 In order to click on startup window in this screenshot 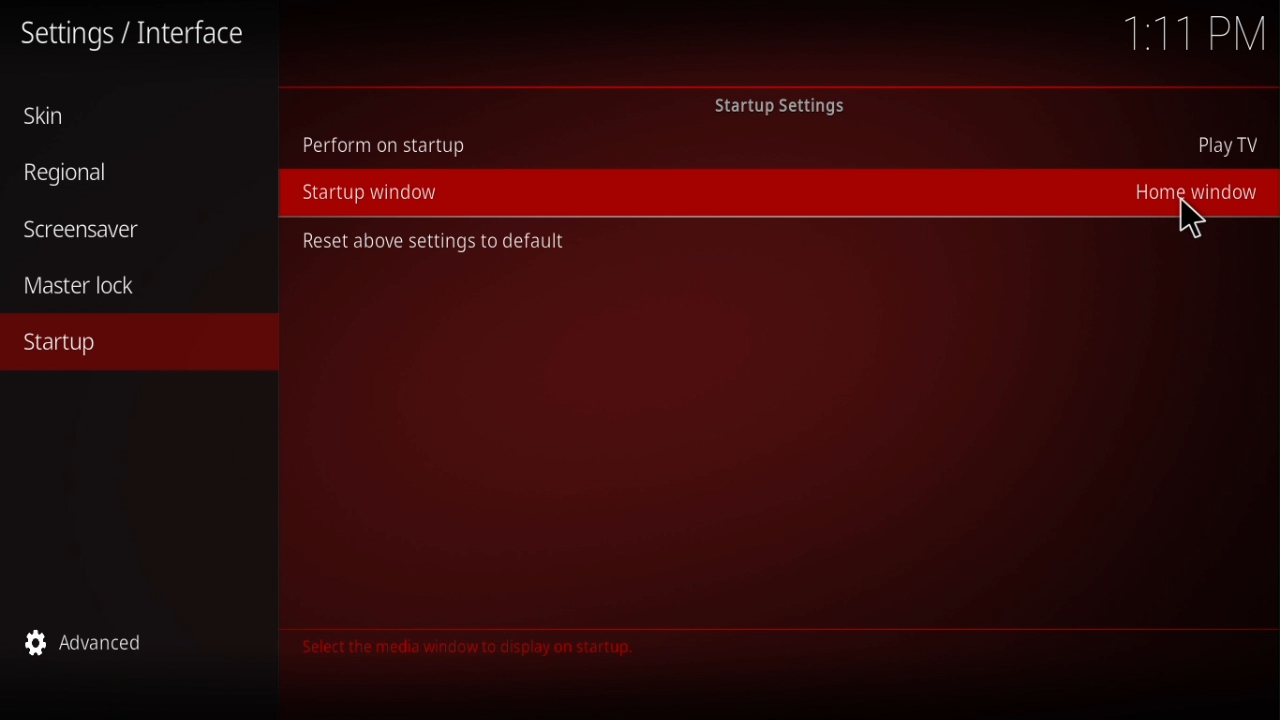, I will do `click(372, 193)`.